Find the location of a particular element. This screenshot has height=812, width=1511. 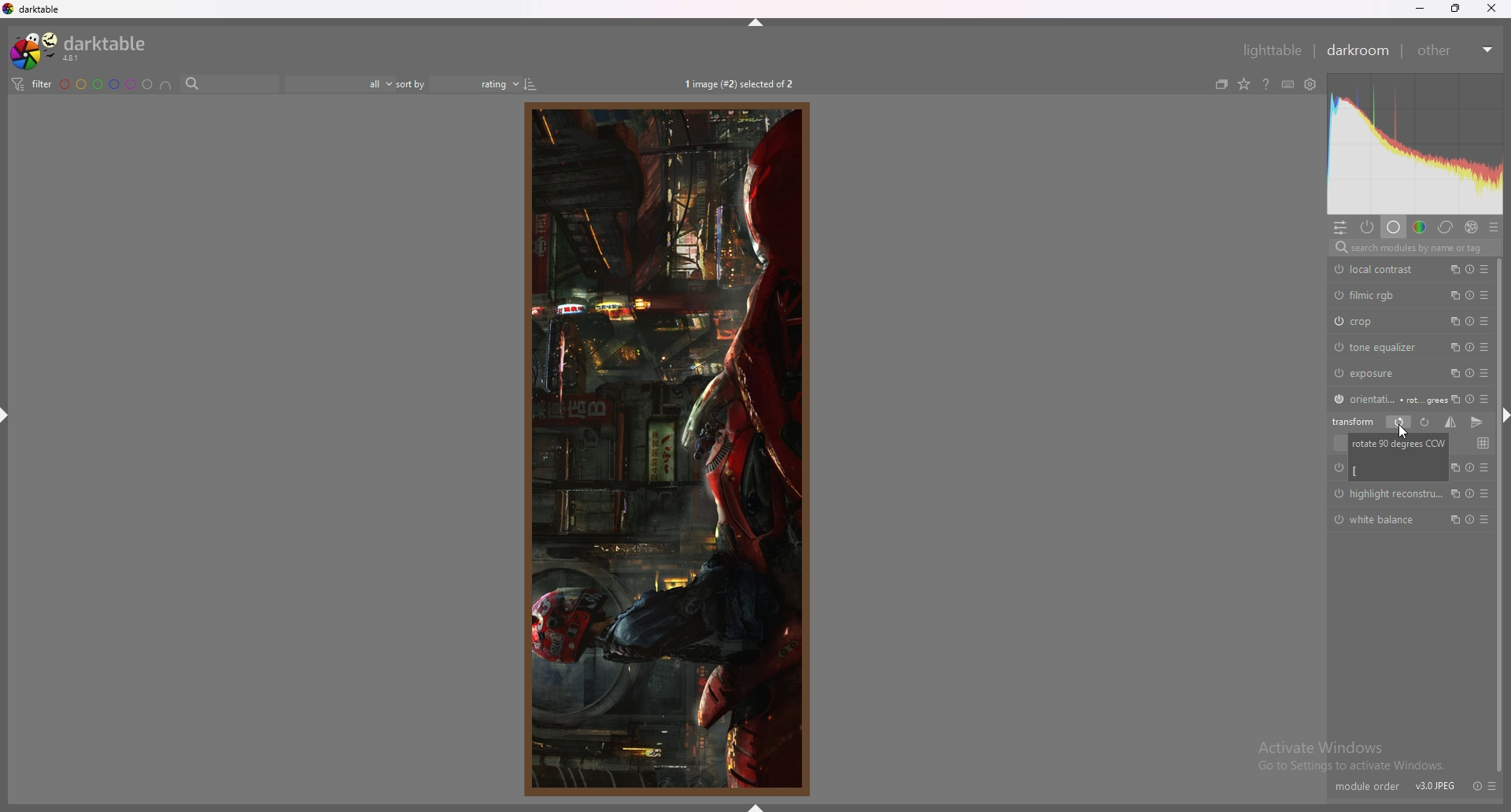

show active modules is located at coordinates (1368, 227).